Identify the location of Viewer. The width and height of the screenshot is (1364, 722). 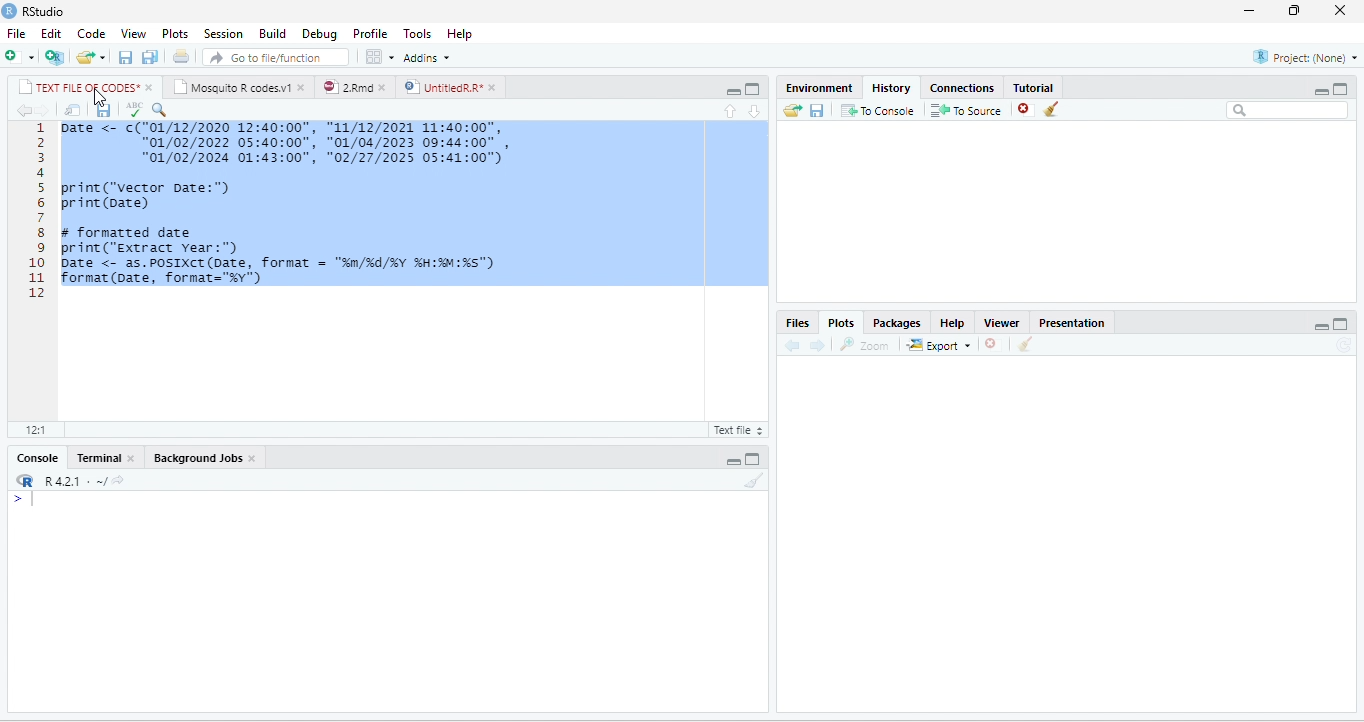
(1001, 323).